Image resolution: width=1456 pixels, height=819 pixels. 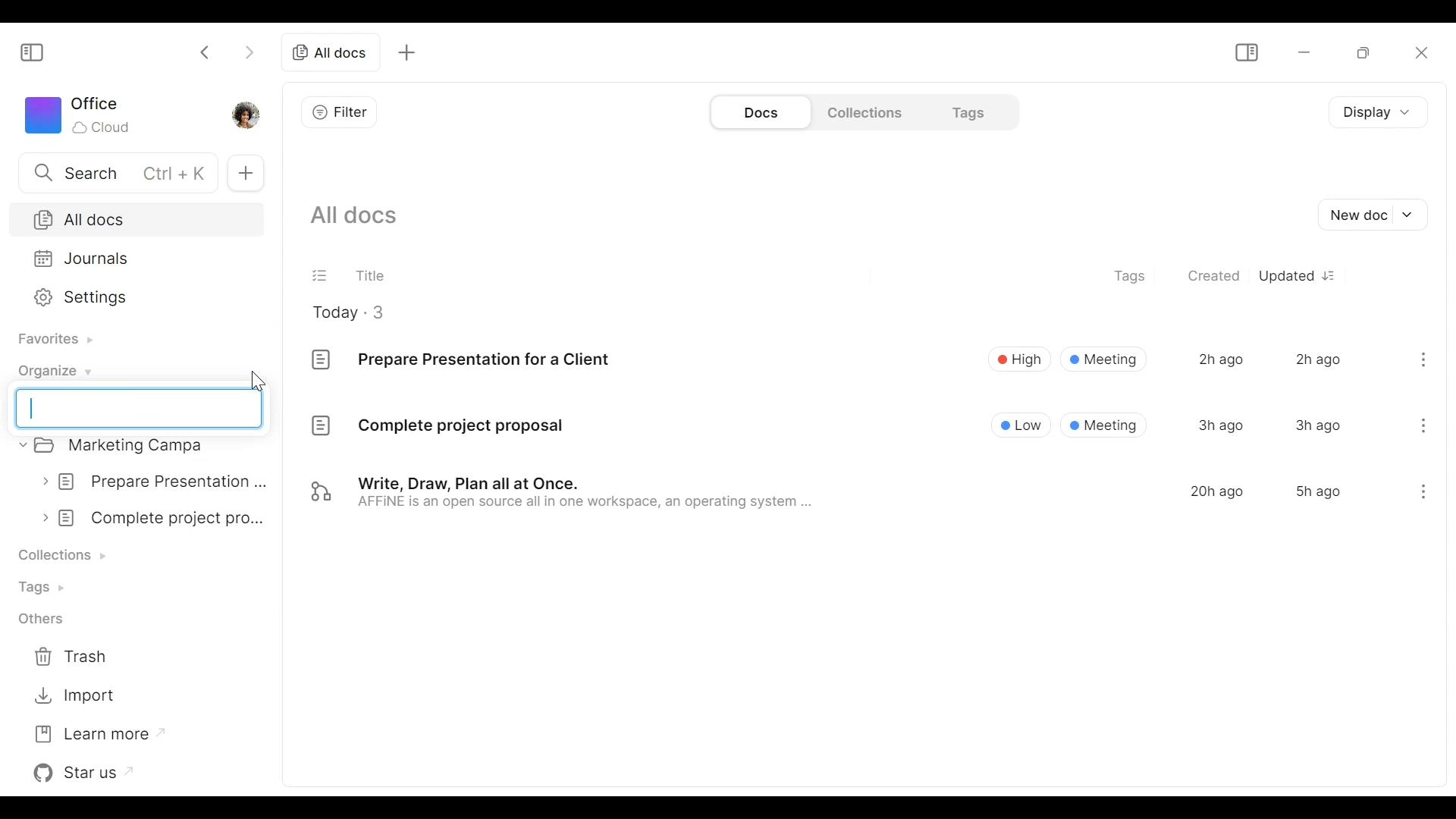 What do you see at coordinates (1302, 52) in the screenshot?
I see `minimize` at bounding box center [1302, 52].